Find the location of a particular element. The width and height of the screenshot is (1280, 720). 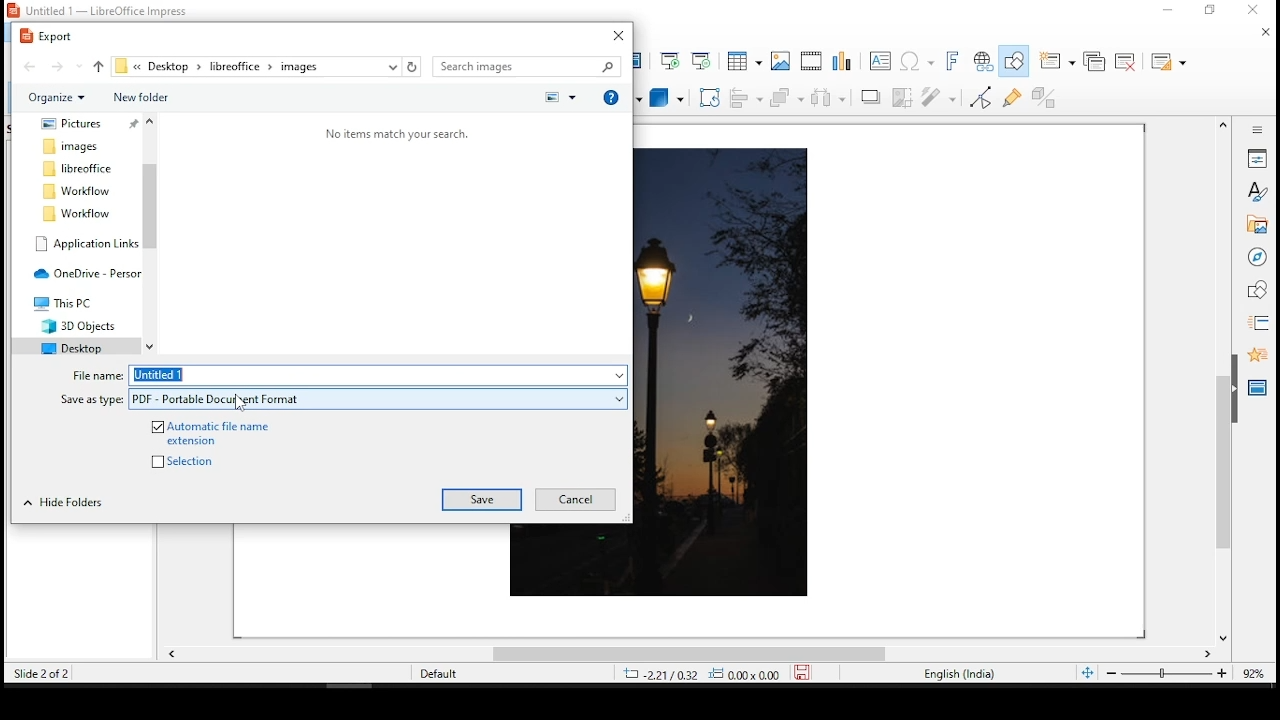

automatic file name extension is located at coordinates (215, 432).